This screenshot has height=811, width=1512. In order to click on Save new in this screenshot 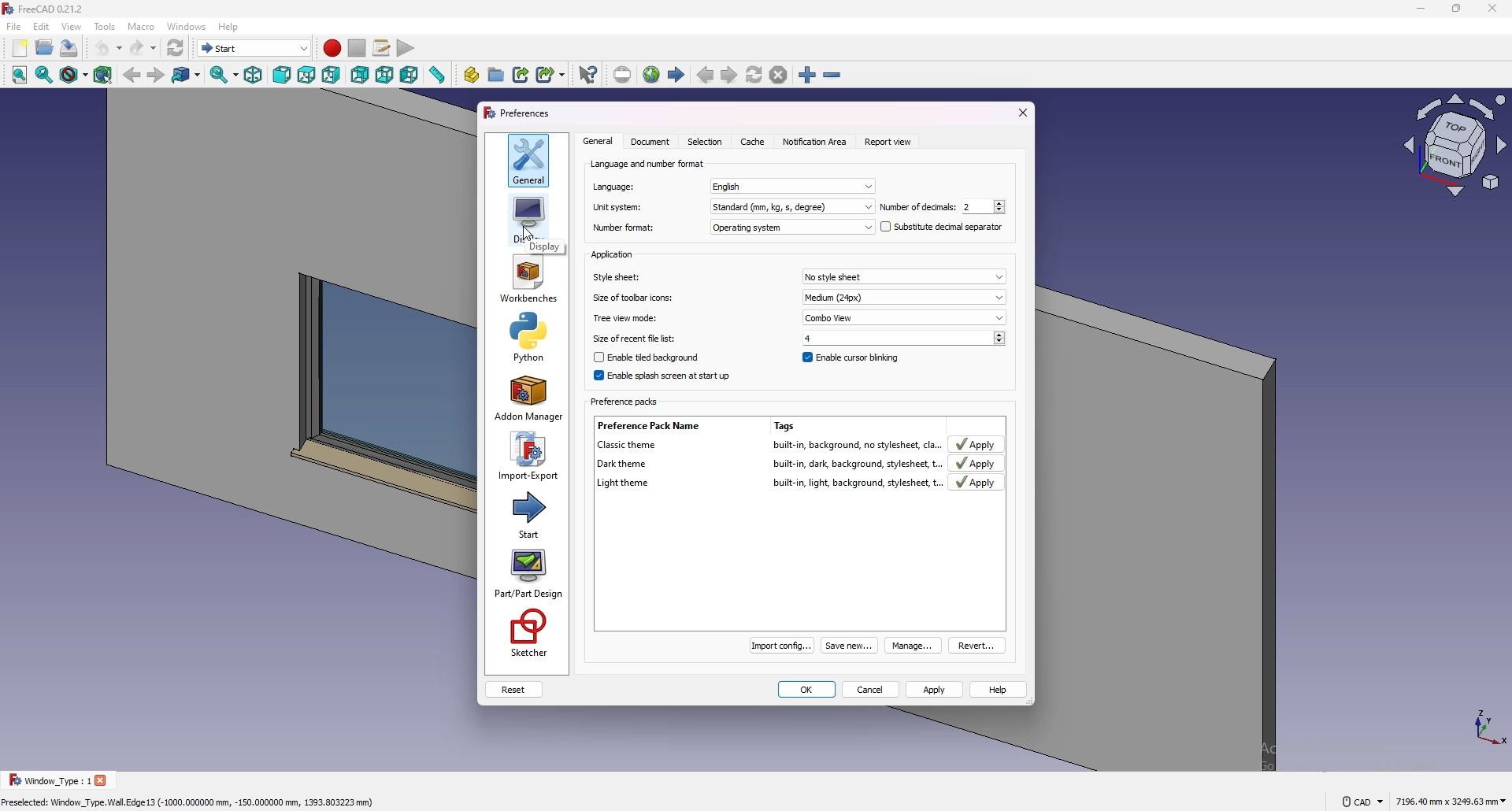, I will do `click(850, 645)`.